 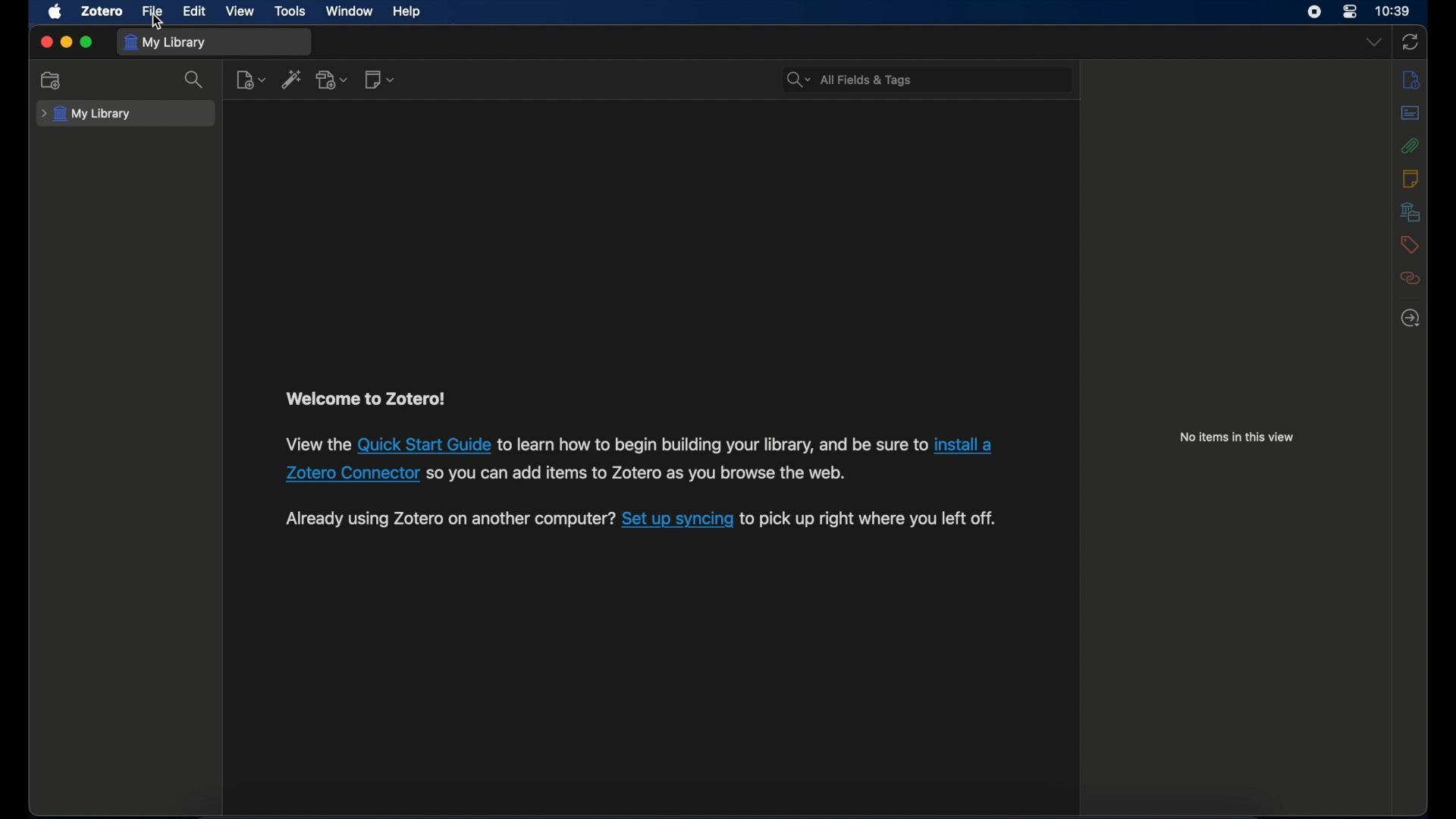 I want to click on so you can add items to Zotero as you browse the web, so click(x=639, y=472).